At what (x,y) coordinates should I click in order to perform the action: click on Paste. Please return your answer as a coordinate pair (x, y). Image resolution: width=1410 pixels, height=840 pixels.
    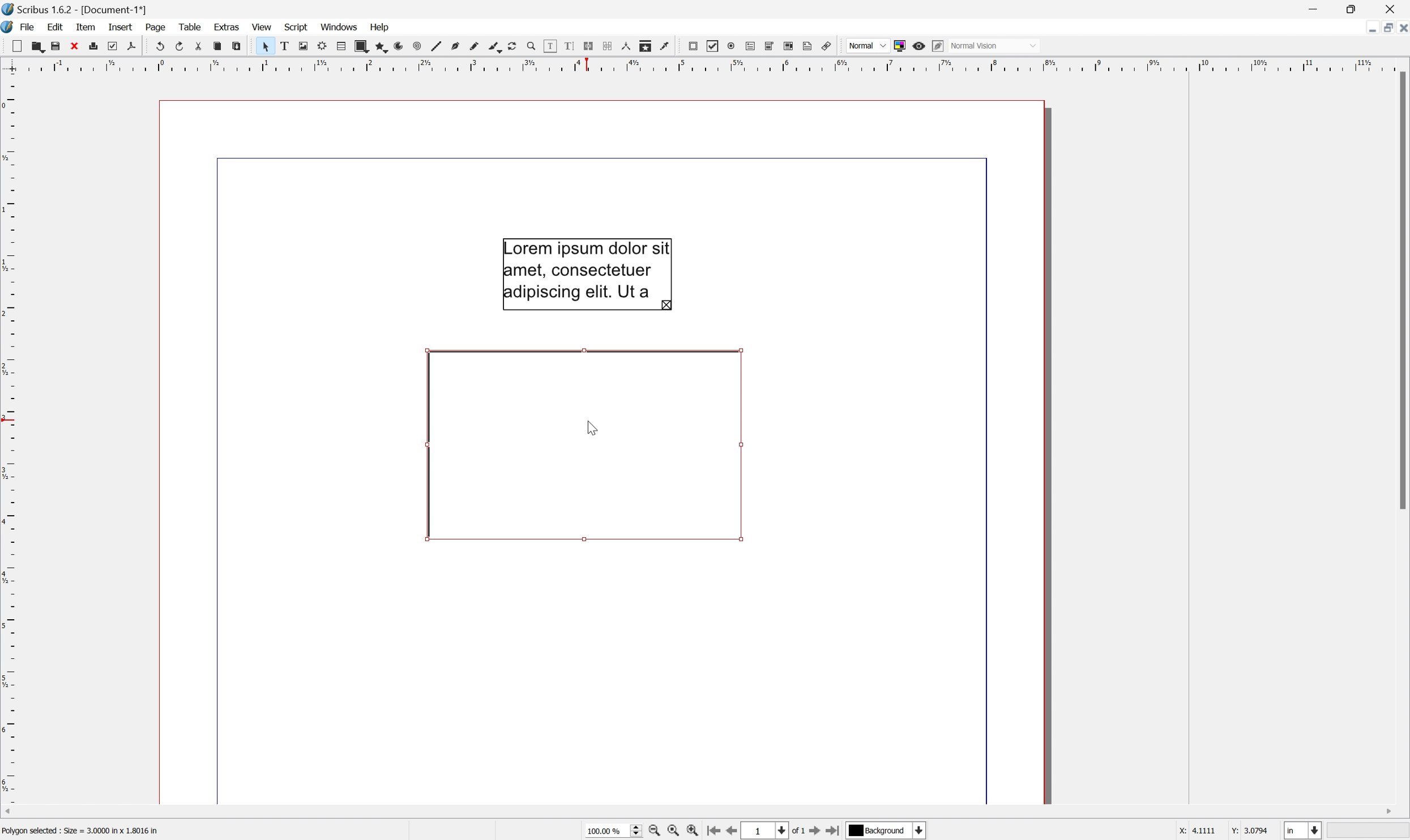
    Looking at the image, I should click on (237, 46).